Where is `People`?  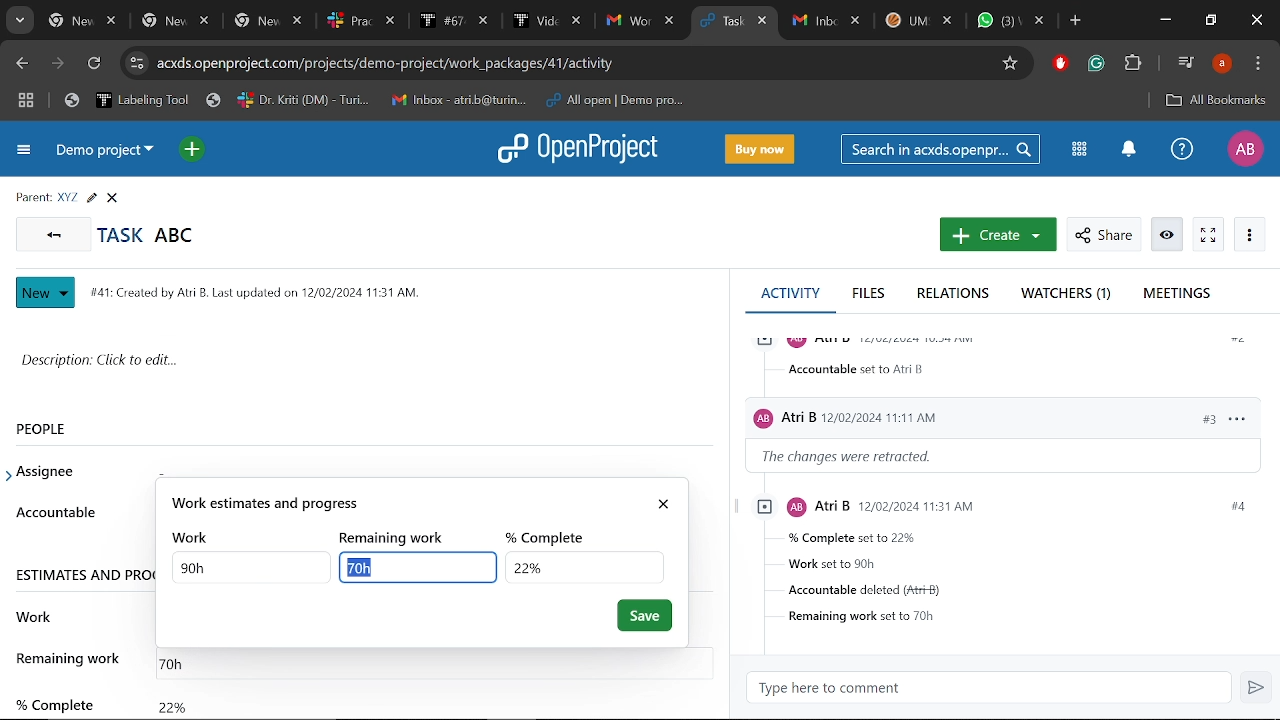
People is located at coordinates (63, 428).